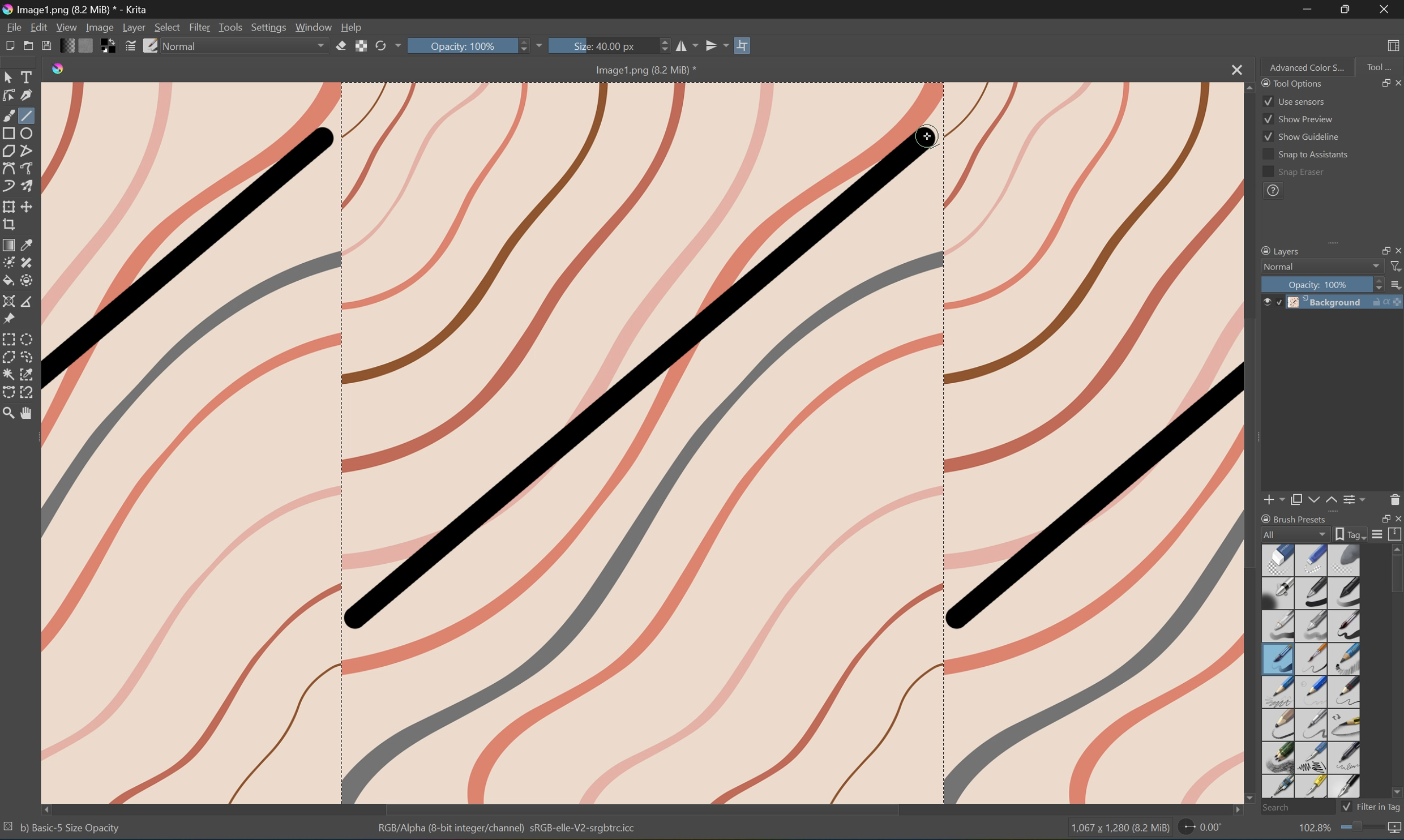 The height and width of the screenshot is (840, 1404). I want to click on Show guideline, so click(1302, 139).